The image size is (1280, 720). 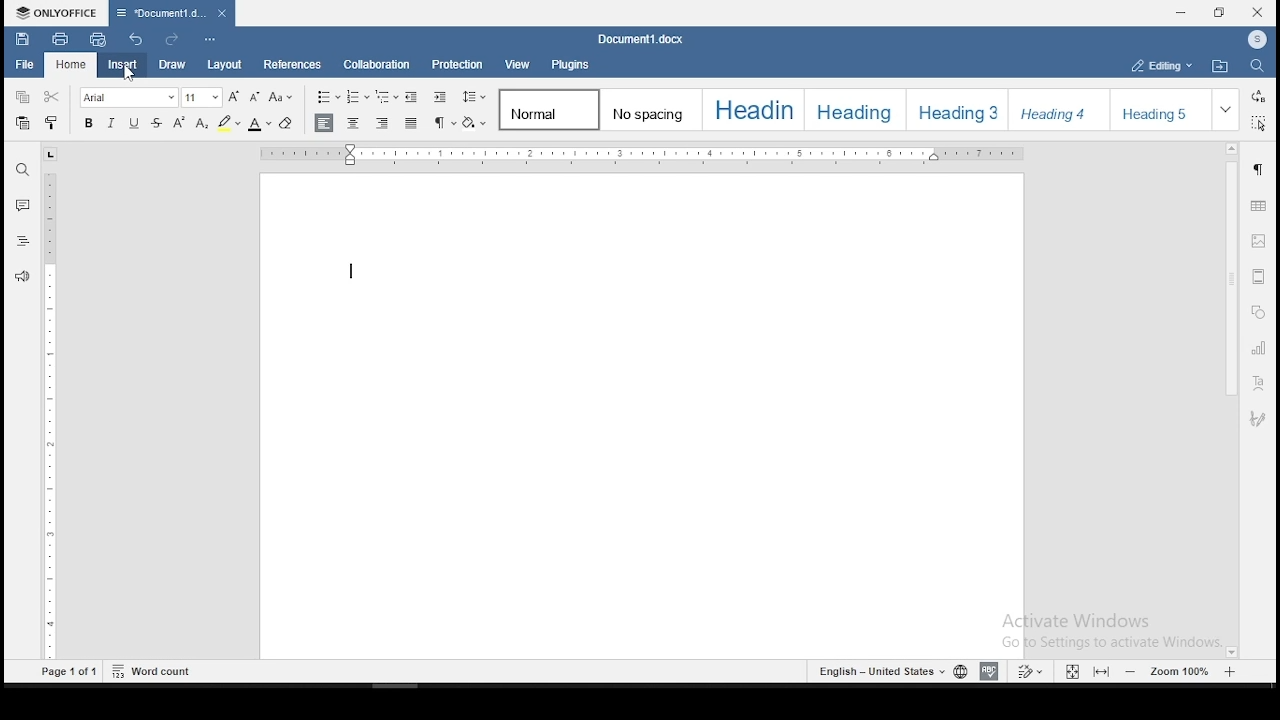 What do you see at coordinates (1181, 671) in the screenshot?
I see `zoom level` at bounding box center [1181, 671].